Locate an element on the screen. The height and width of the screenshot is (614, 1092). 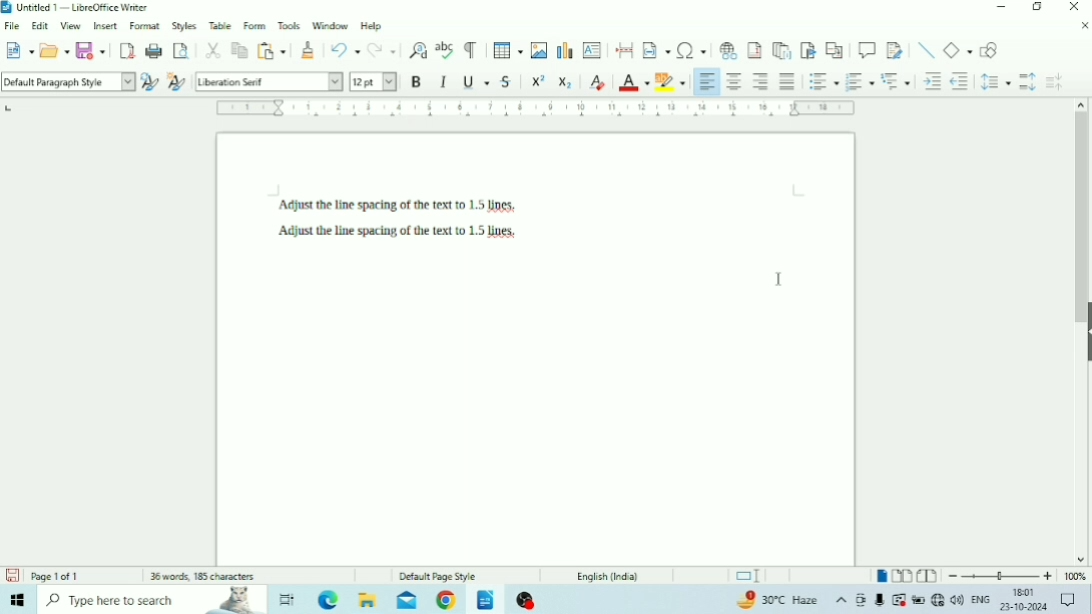
Character Highlighting Color is located at coordinates (670, 81).